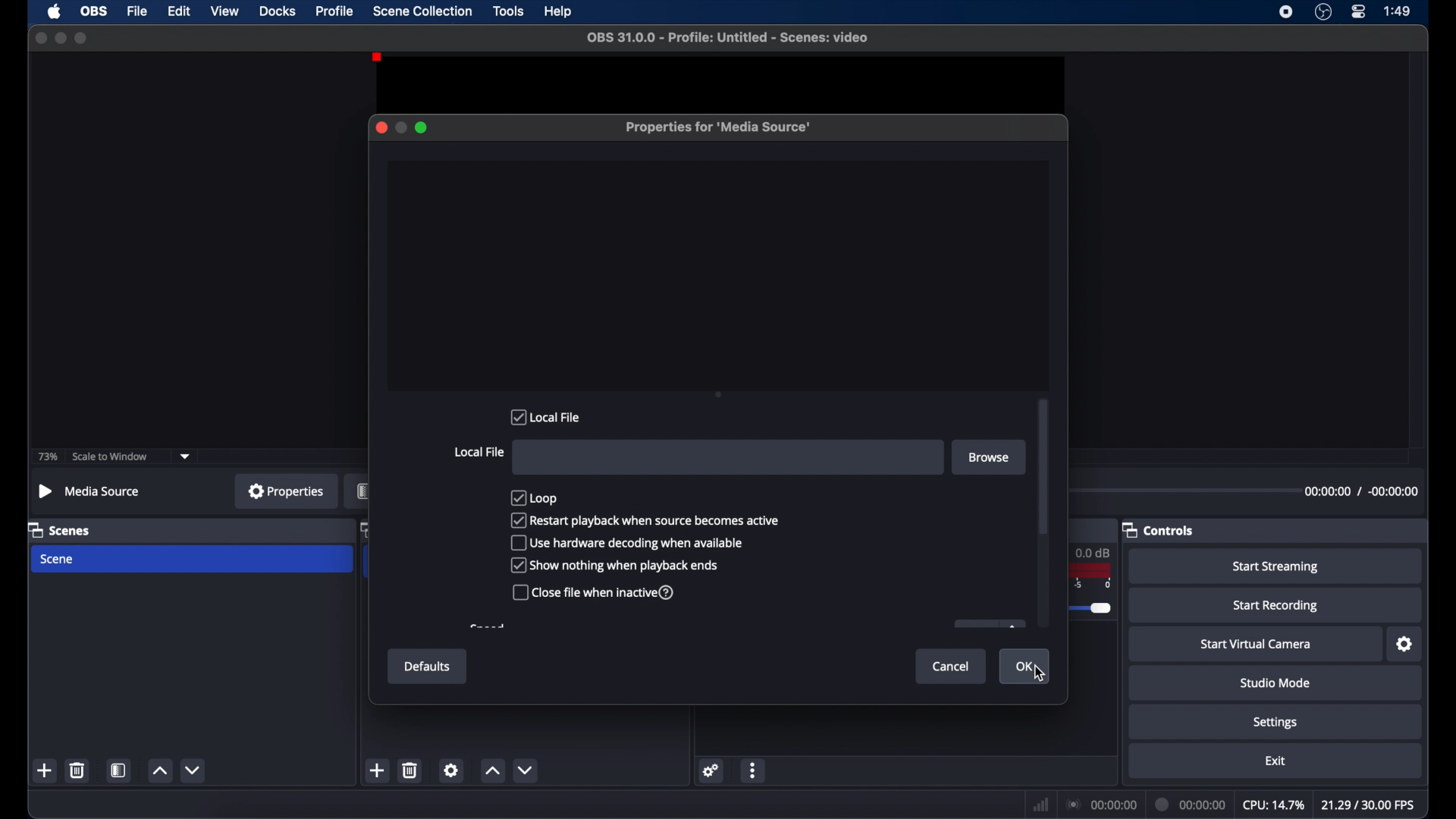 Image resolution: width=1456 pixels, height=819 pixels. I want to click on screen recorder icon, so click(1285, 12).